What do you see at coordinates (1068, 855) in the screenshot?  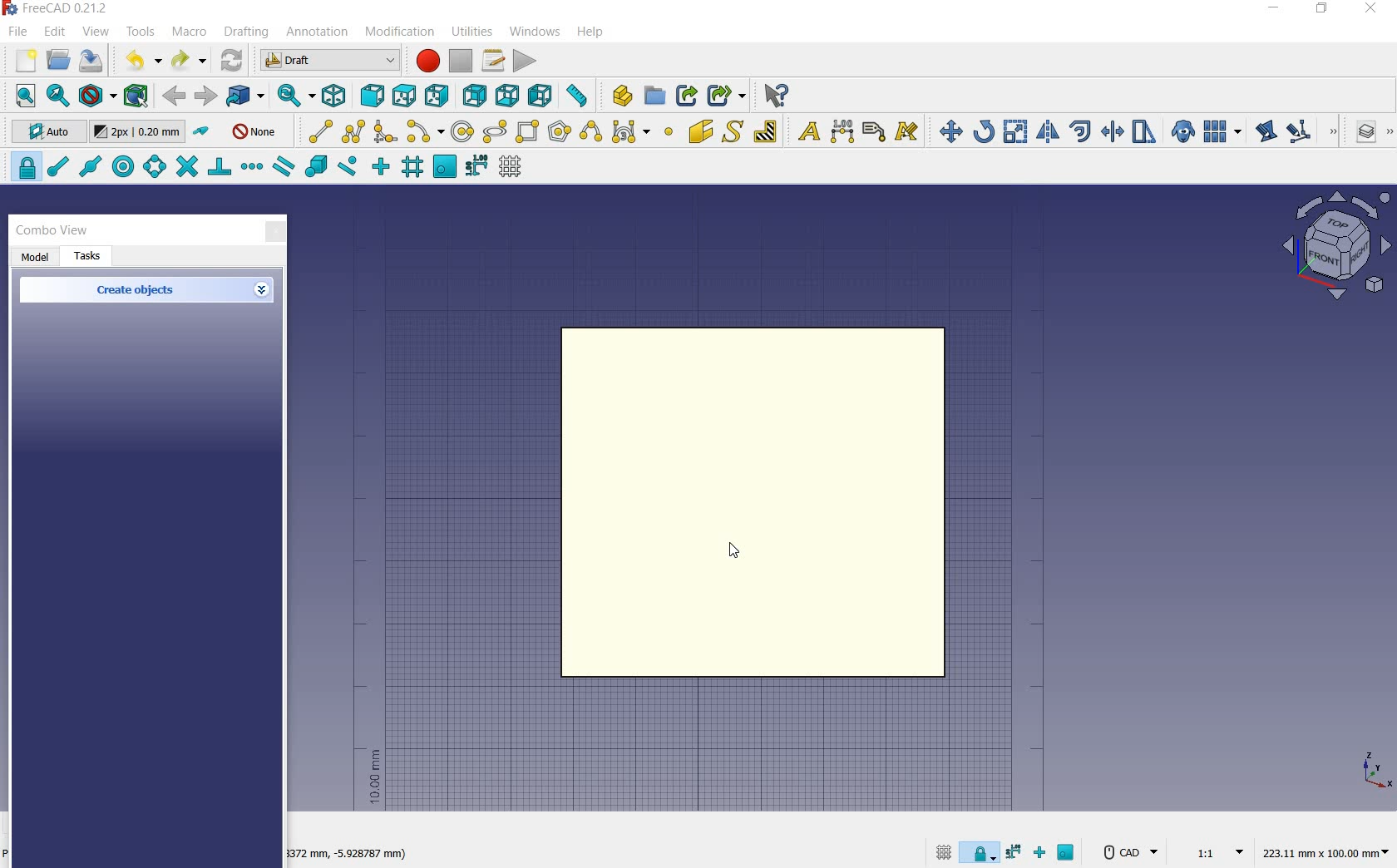 I see `snap working plane` at bounding box center [1068, 855].